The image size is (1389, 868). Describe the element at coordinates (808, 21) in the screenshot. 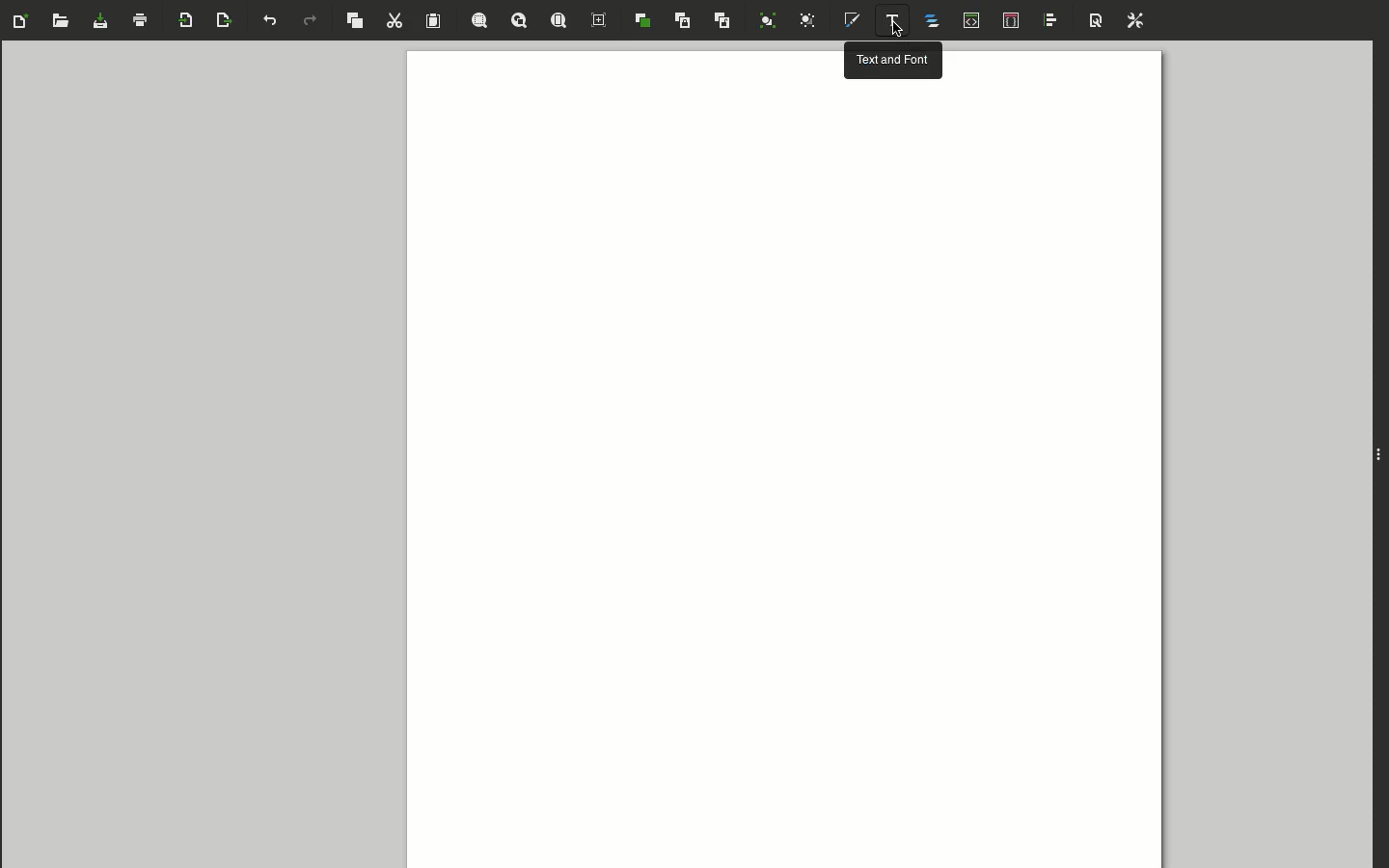

I see `Ungroup` at that location.